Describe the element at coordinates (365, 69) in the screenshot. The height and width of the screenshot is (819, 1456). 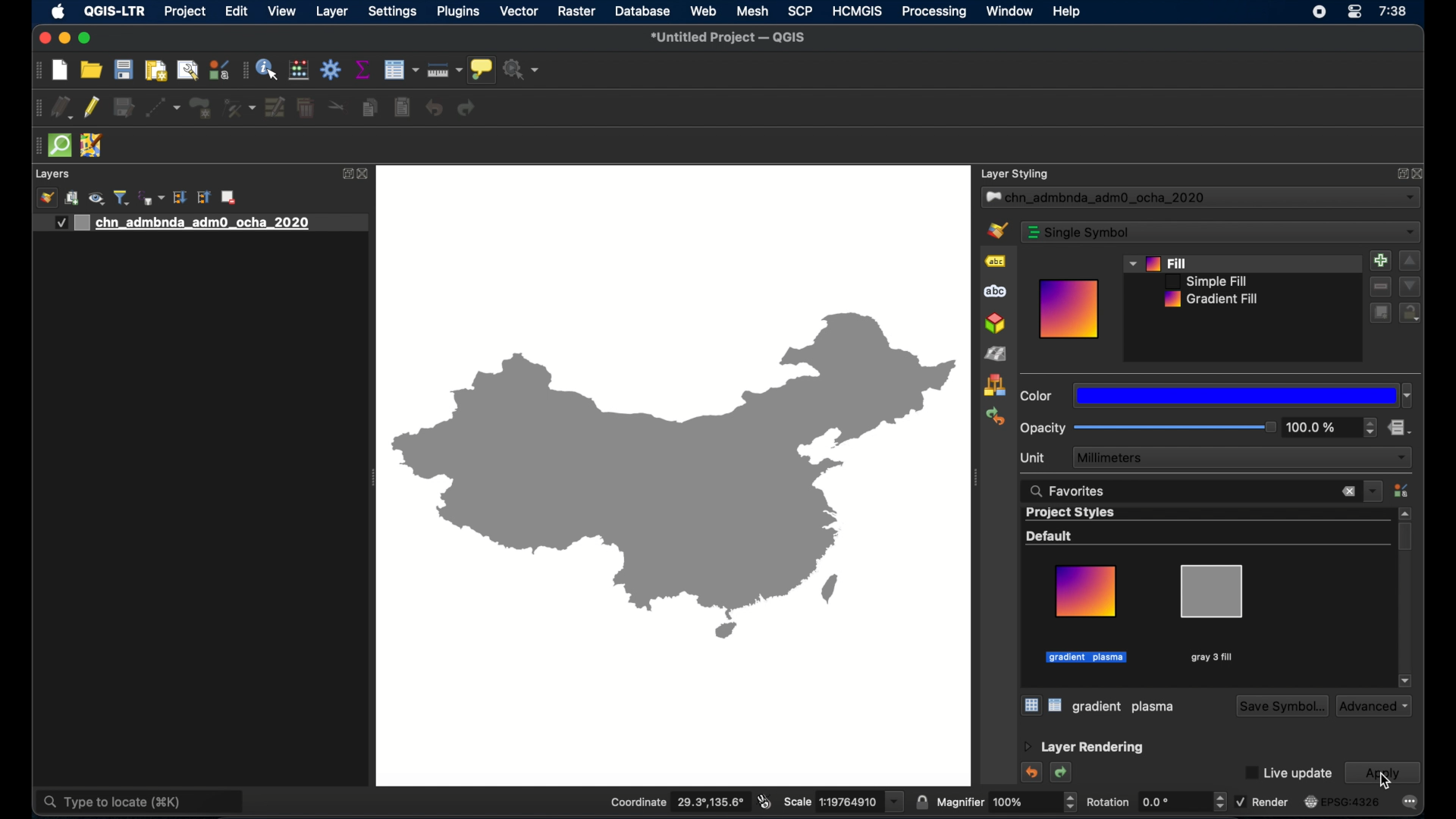
I see `show statistical summary` at that location.